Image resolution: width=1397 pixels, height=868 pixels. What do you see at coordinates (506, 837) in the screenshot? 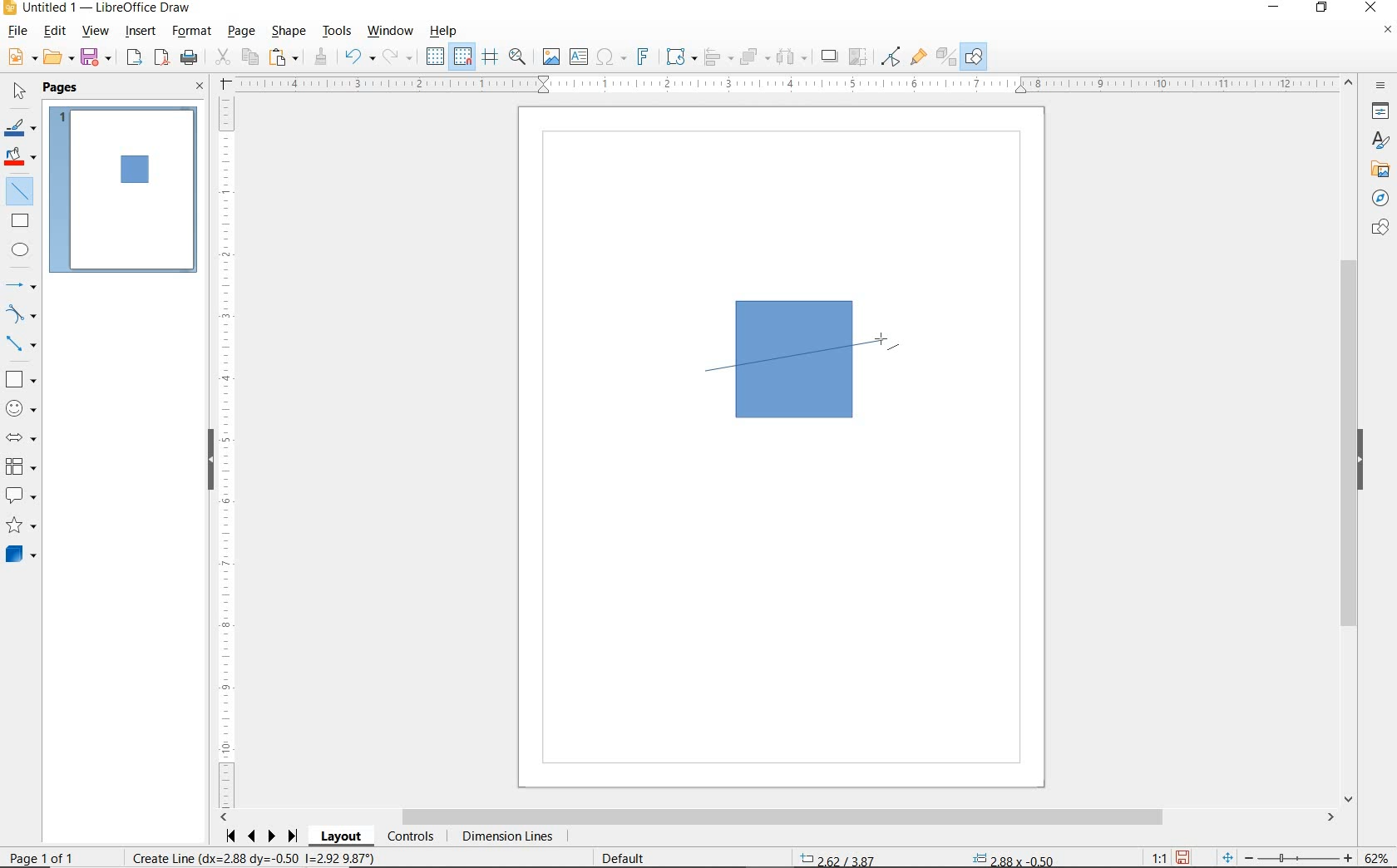
I see `DIMENSION LINES` at bounding box center [506, 837].